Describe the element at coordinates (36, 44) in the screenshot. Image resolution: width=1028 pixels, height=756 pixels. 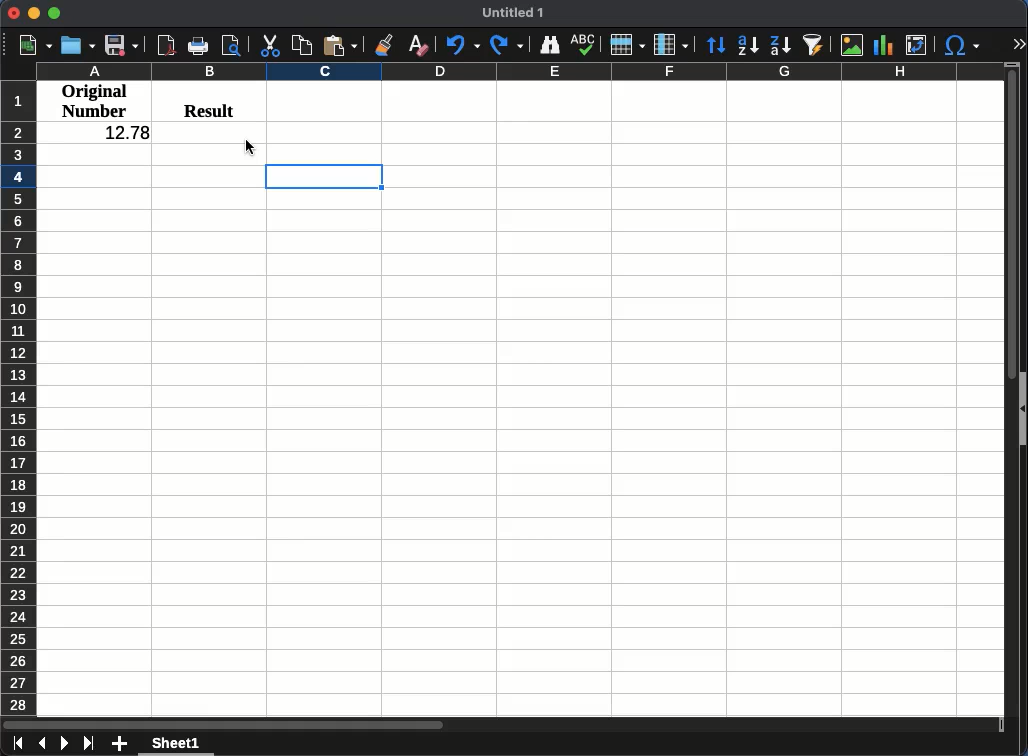
I see `new` at that location.